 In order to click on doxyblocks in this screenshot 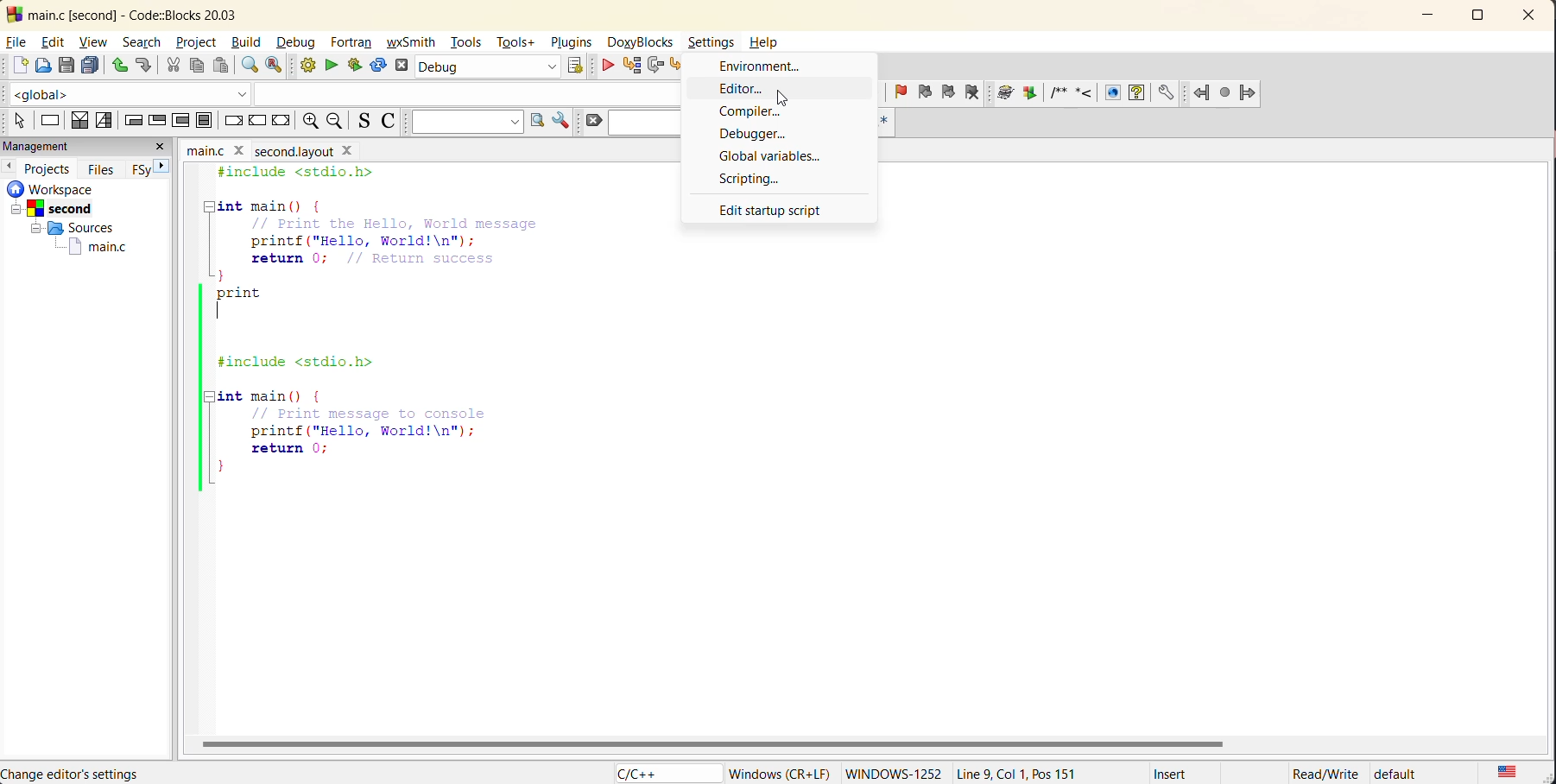, I will do `click(642, 41)`.